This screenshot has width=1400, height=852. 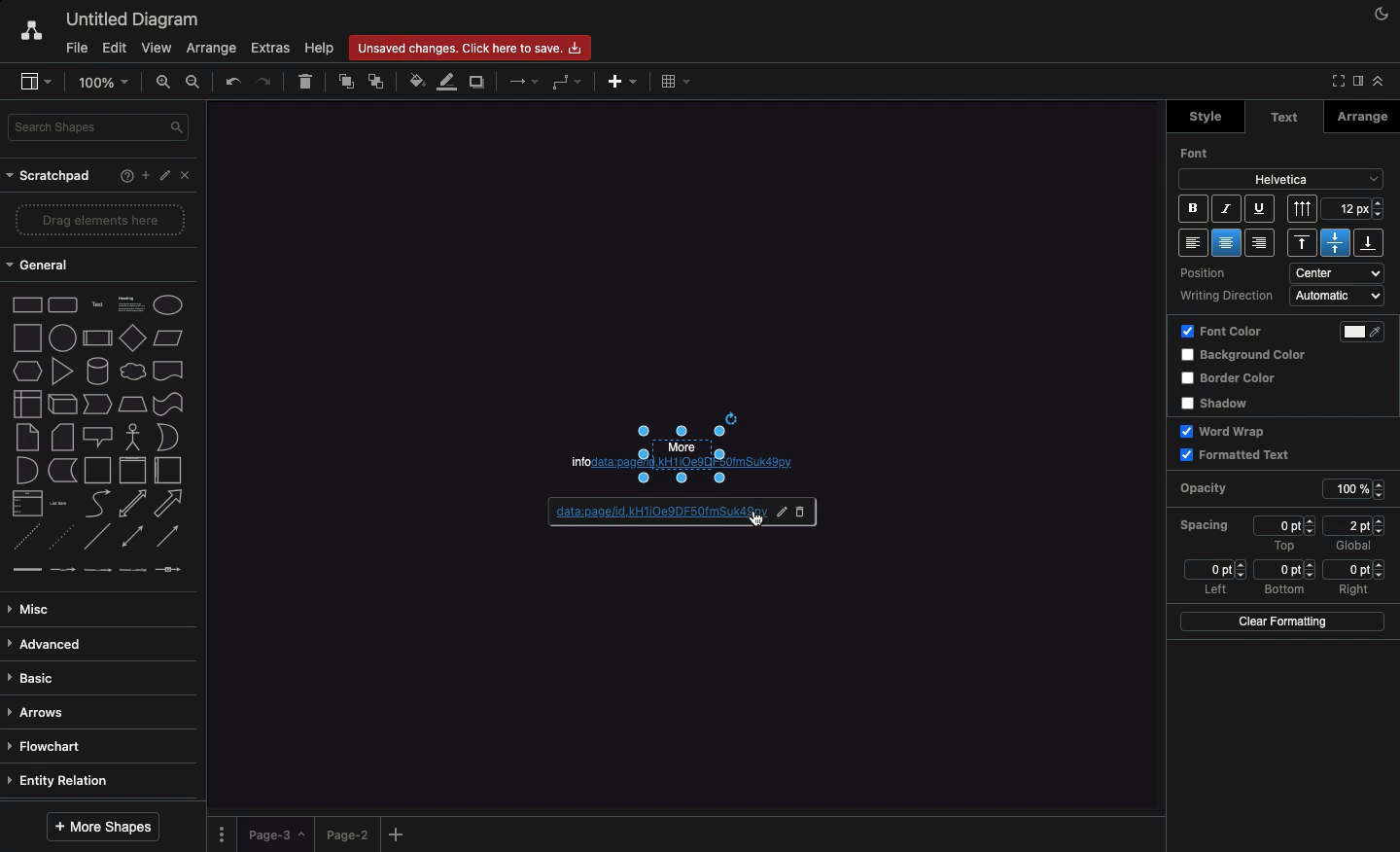 What do you see at coordinates (59, 536) in the screenshot?
I see `dotted line` at bounding box center [59, 536].